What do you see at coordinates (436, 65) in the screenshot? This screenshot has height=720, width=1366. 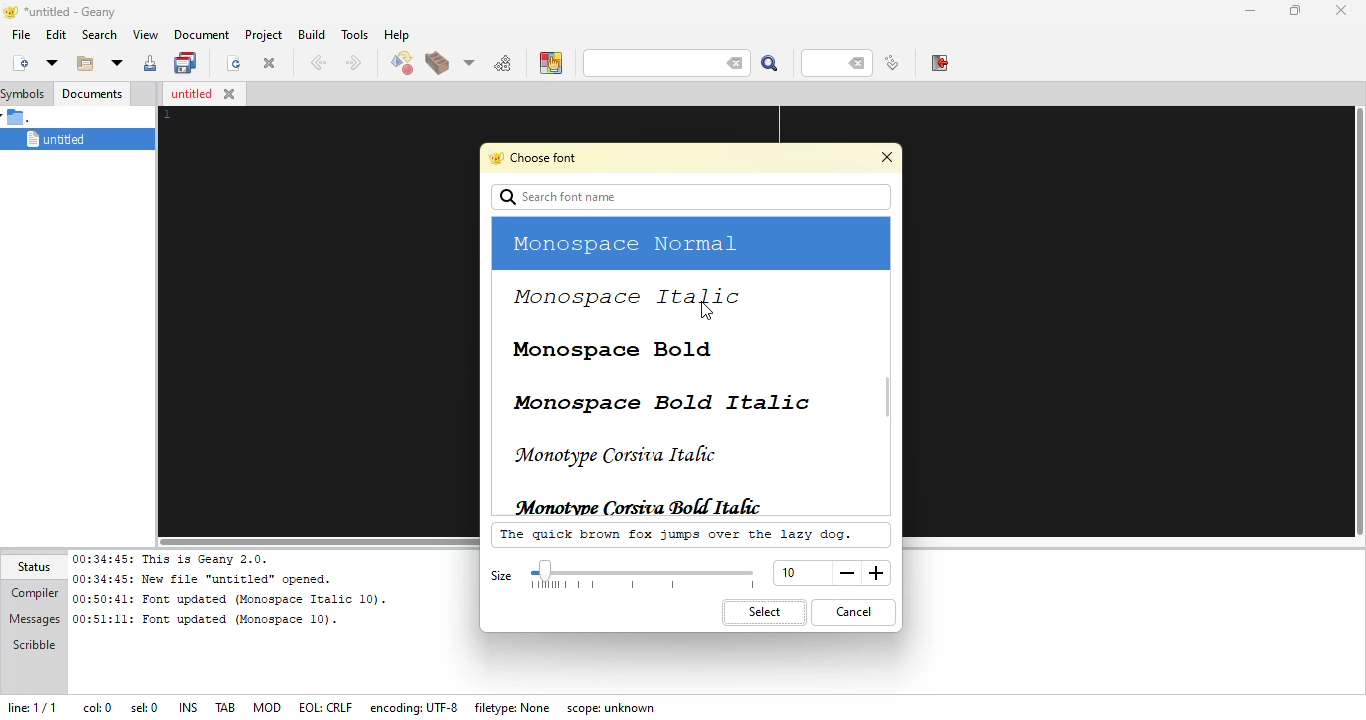 I see `build` at bounding box center [436, 65].